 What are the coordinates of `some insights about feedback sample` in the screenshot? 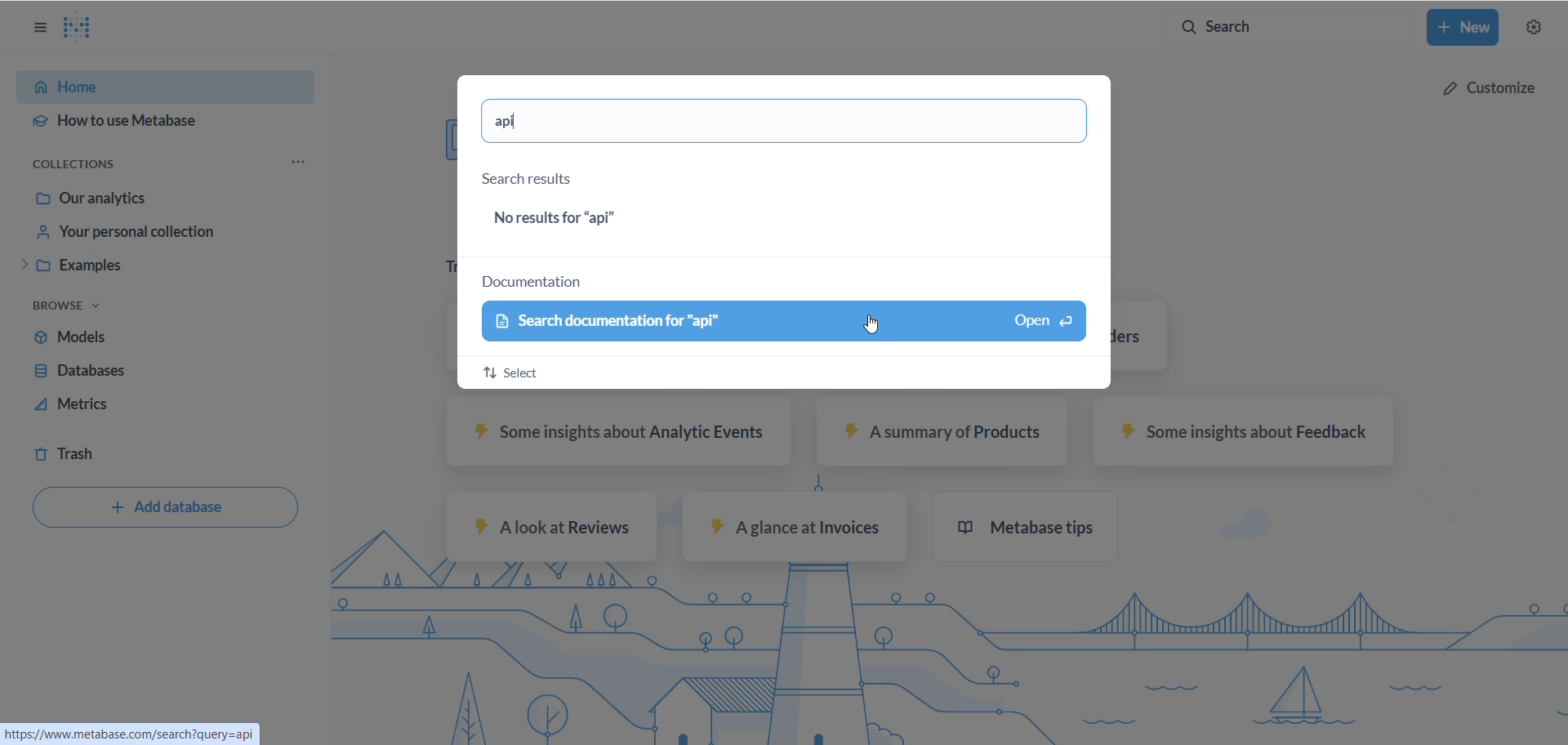 It's located at (1241, 435).